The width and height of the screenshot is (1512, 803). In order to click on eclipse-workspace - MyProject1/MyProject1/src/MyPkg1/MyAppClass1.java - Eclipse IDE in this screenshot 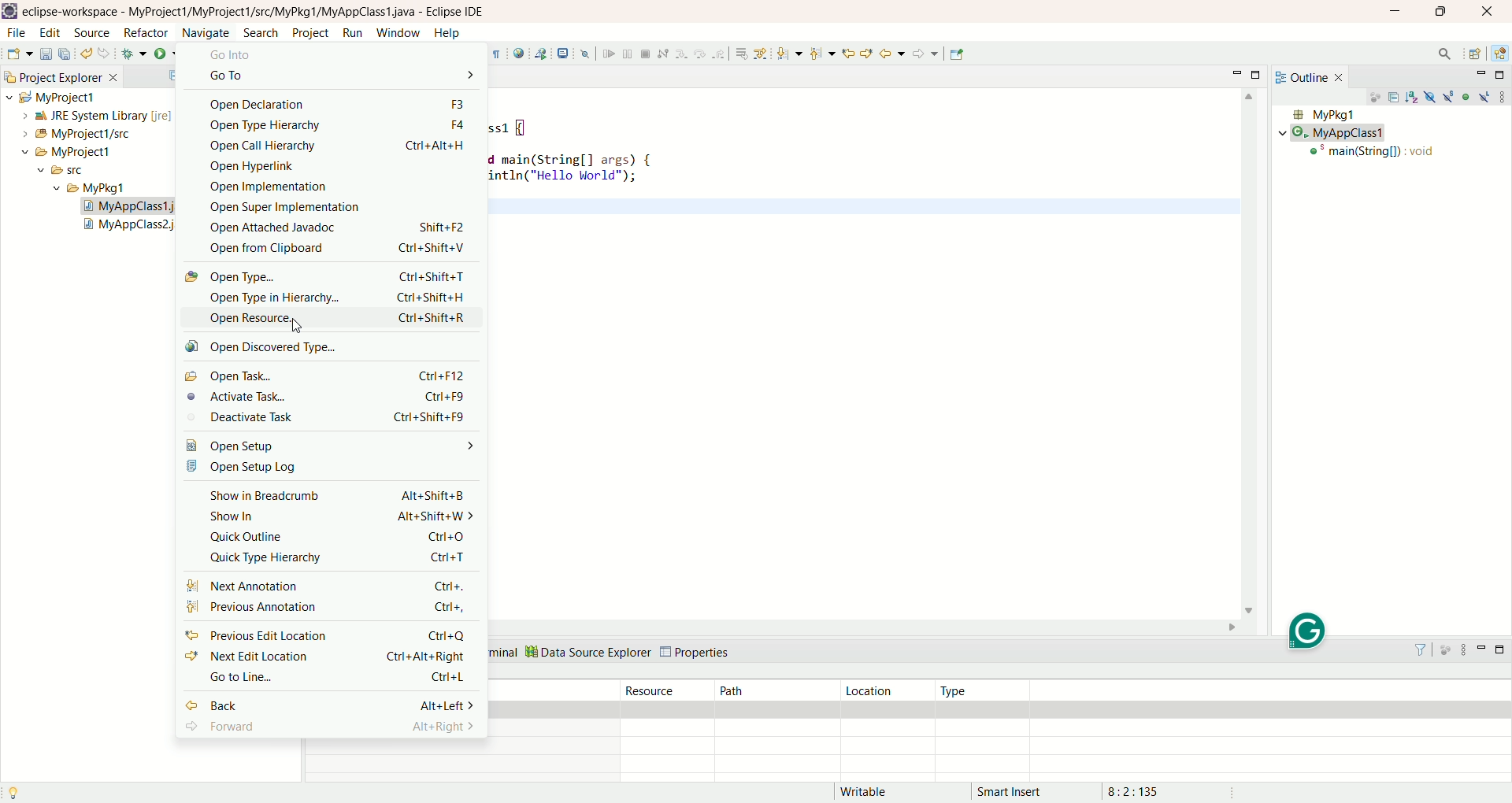, I will do `click(258, 12)`.